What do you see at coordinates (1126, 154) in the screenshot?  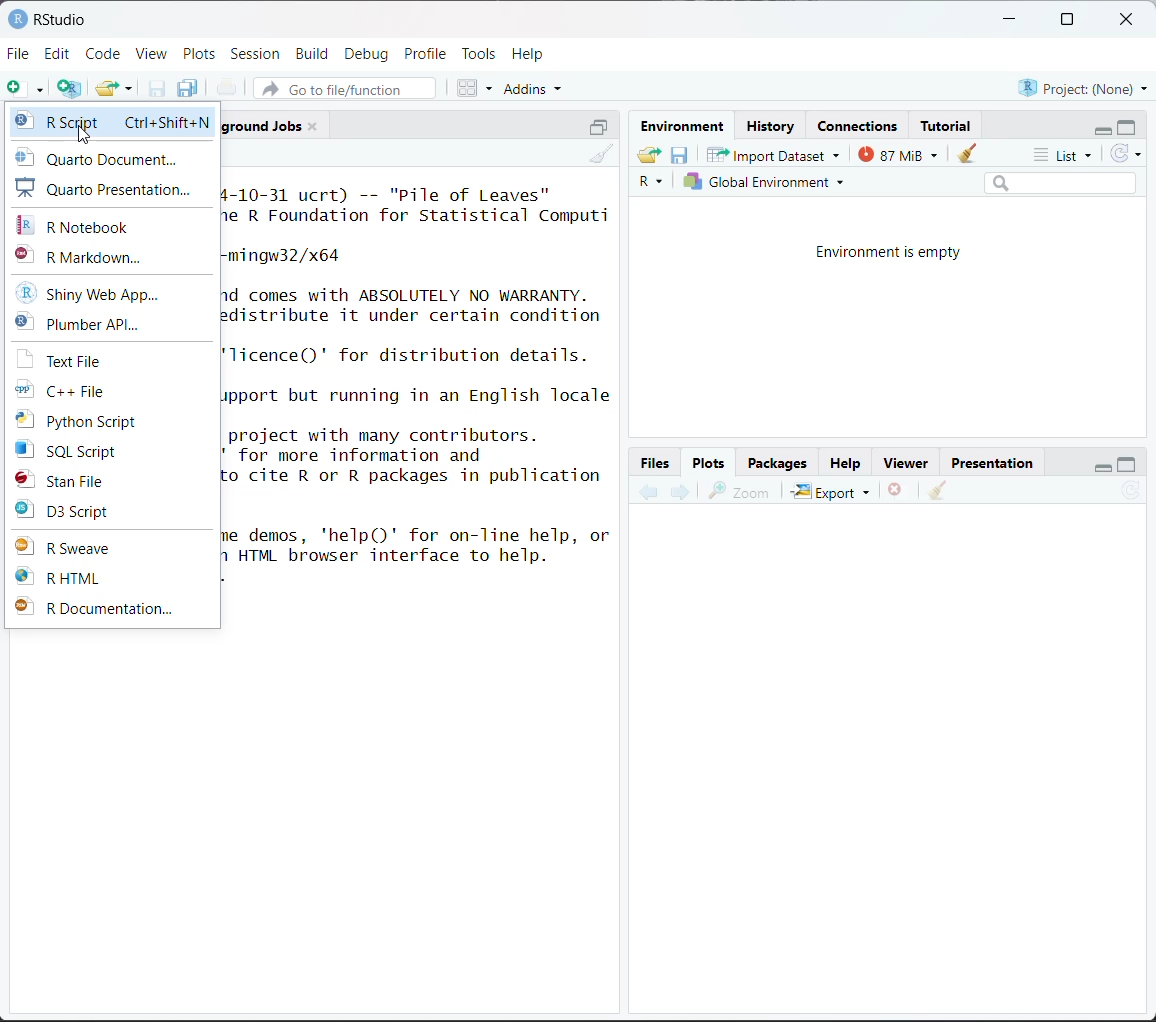 I see `refresh the list` at bounding box center [1126, 154].